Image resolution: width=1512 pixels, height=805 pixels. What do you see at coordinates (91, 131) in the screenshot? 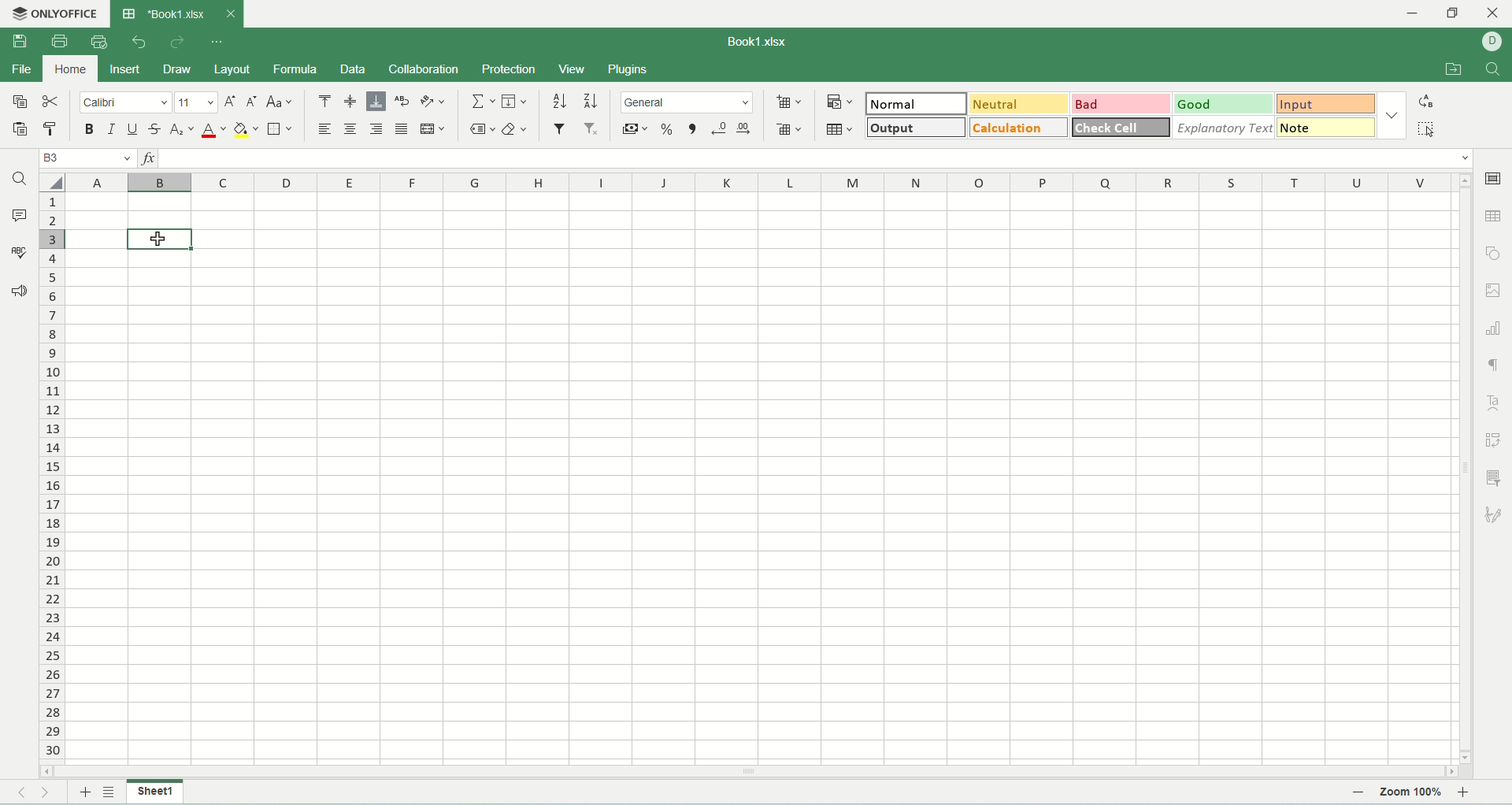
I see `bold` at bounding box center [91, 131].